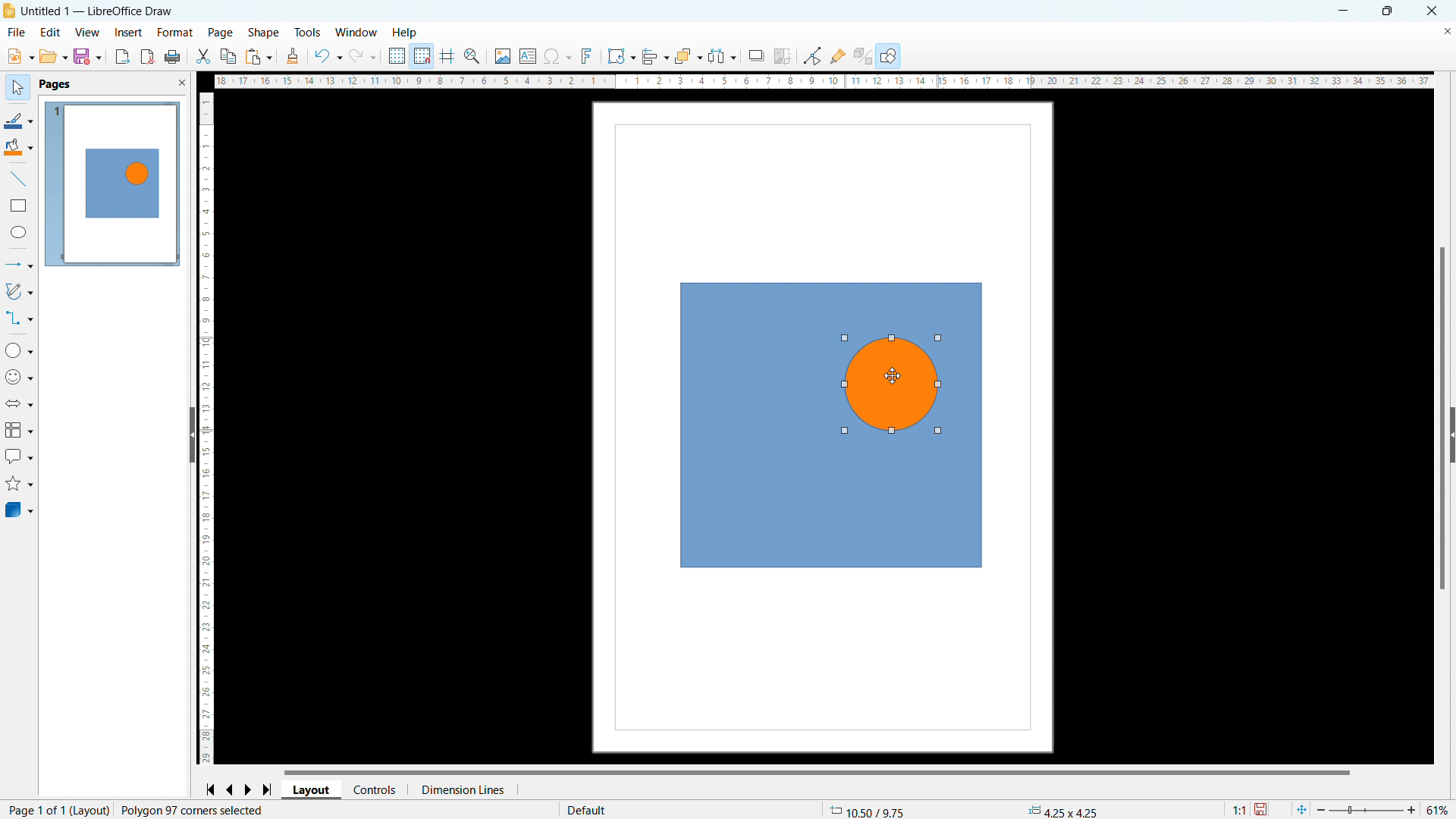 This screenshot has height=819, width=1456. I want to click on help, so click(404, 32).